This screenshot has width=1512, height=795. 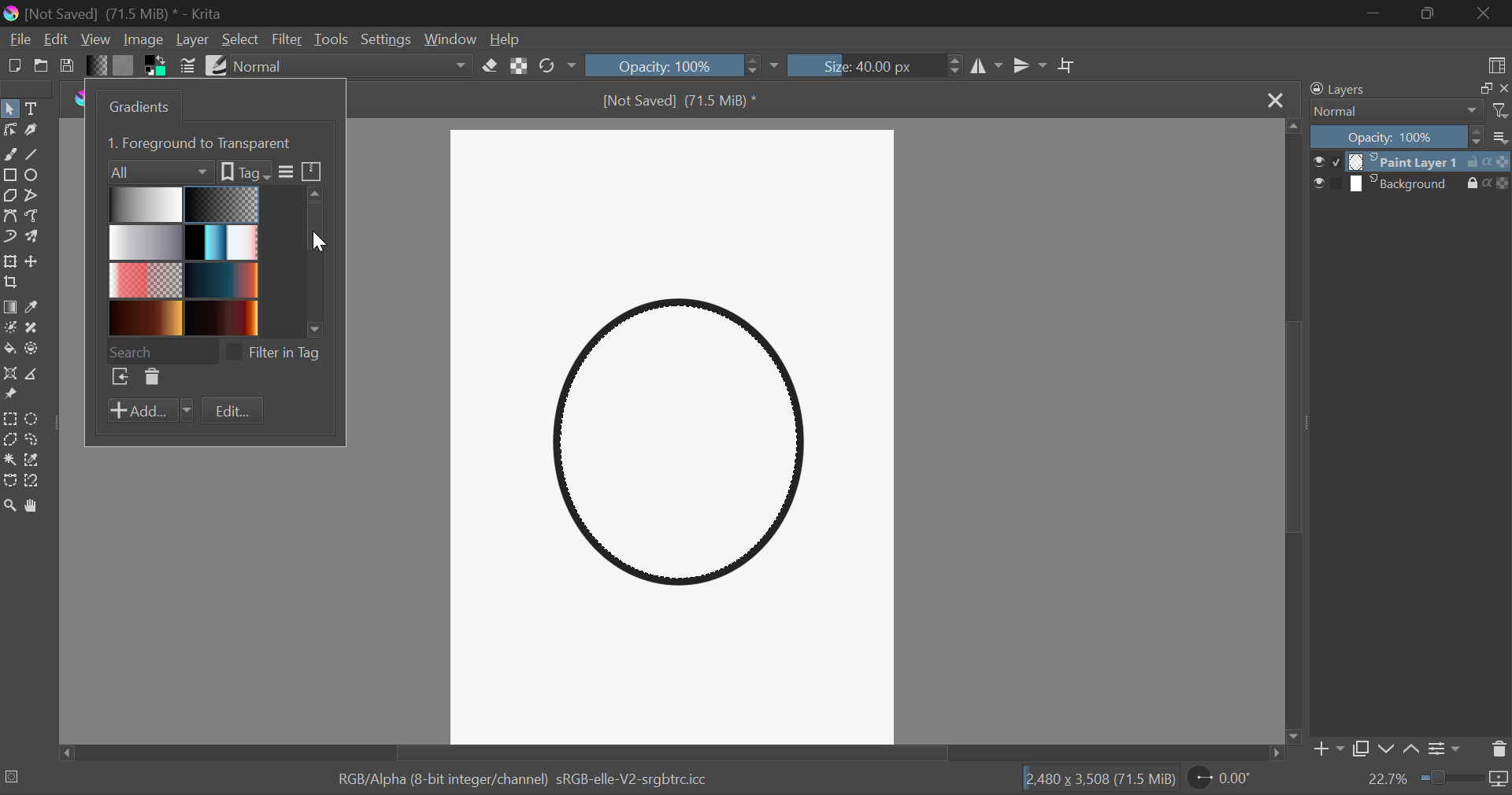 I want to click on Image, so click(x=145, y=41).